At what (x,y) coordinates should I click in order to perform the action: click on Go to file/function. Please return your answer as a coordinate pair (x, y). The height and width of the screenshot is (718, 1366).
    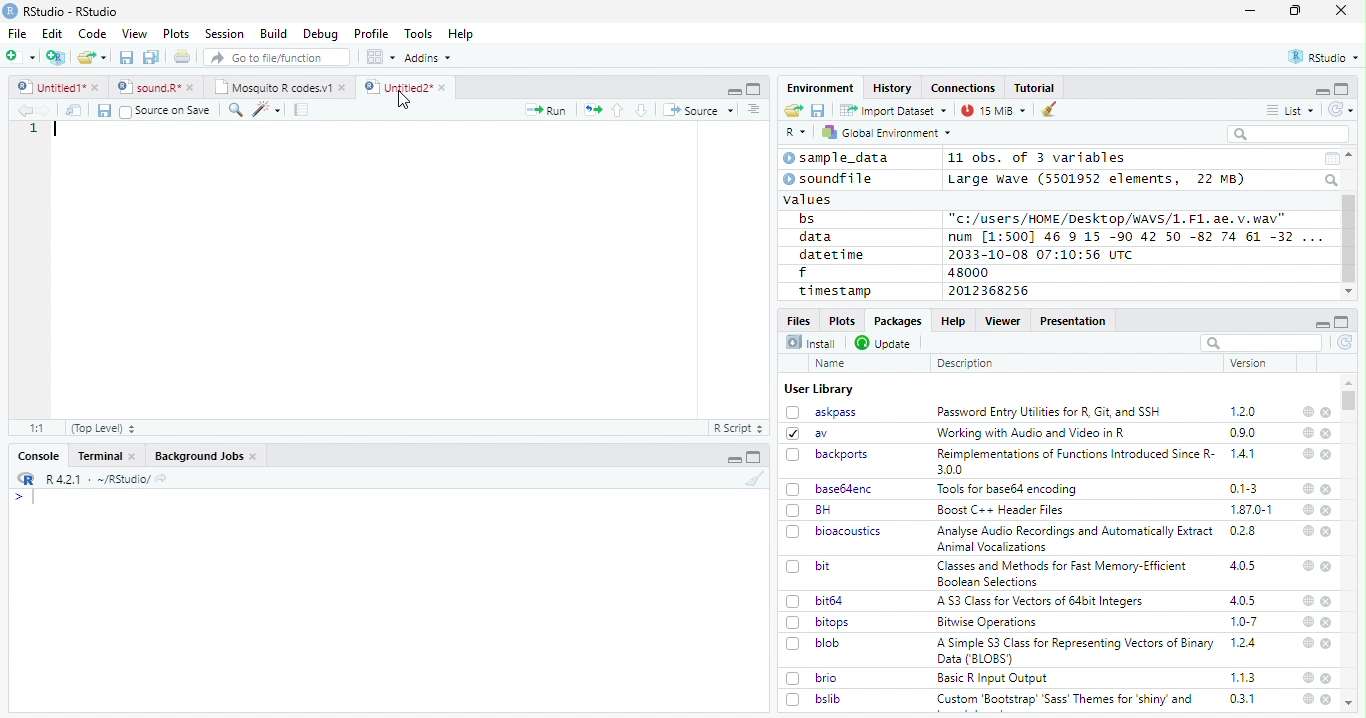
    Looking at the image, I should click on (278, 57).